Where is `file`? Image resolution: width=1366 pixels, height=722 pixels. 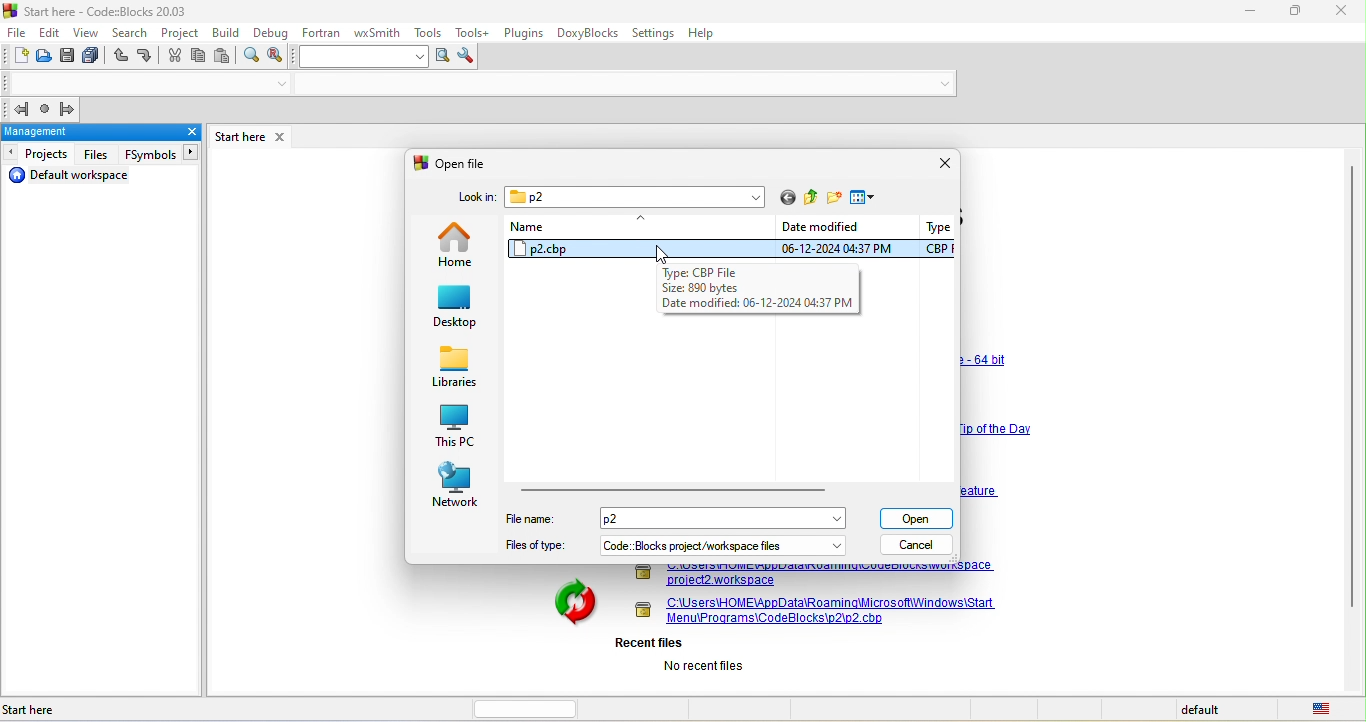
file is located at coordinates (18, 32).